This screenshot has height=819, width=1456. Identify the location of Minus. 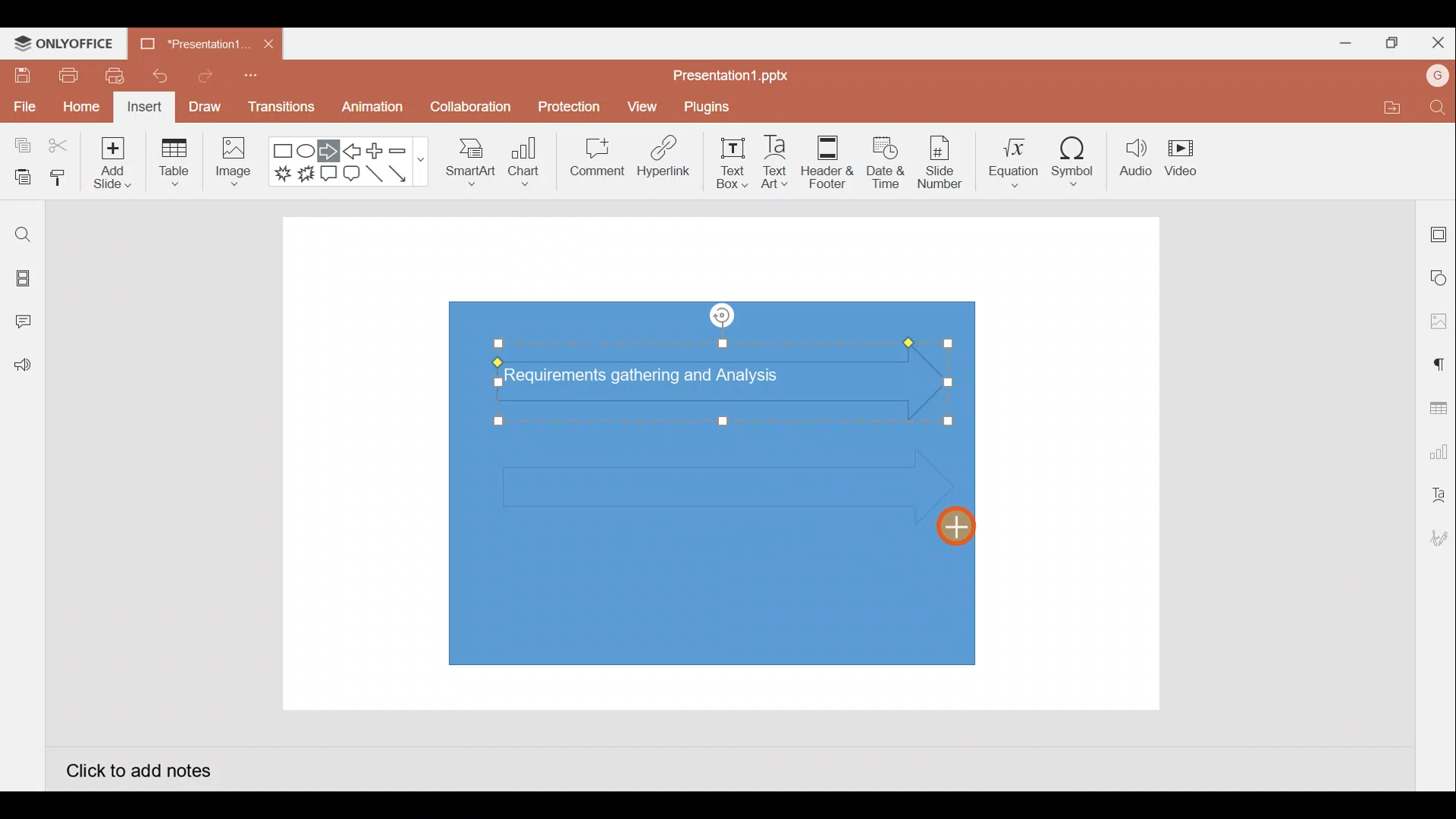
(406, 149).